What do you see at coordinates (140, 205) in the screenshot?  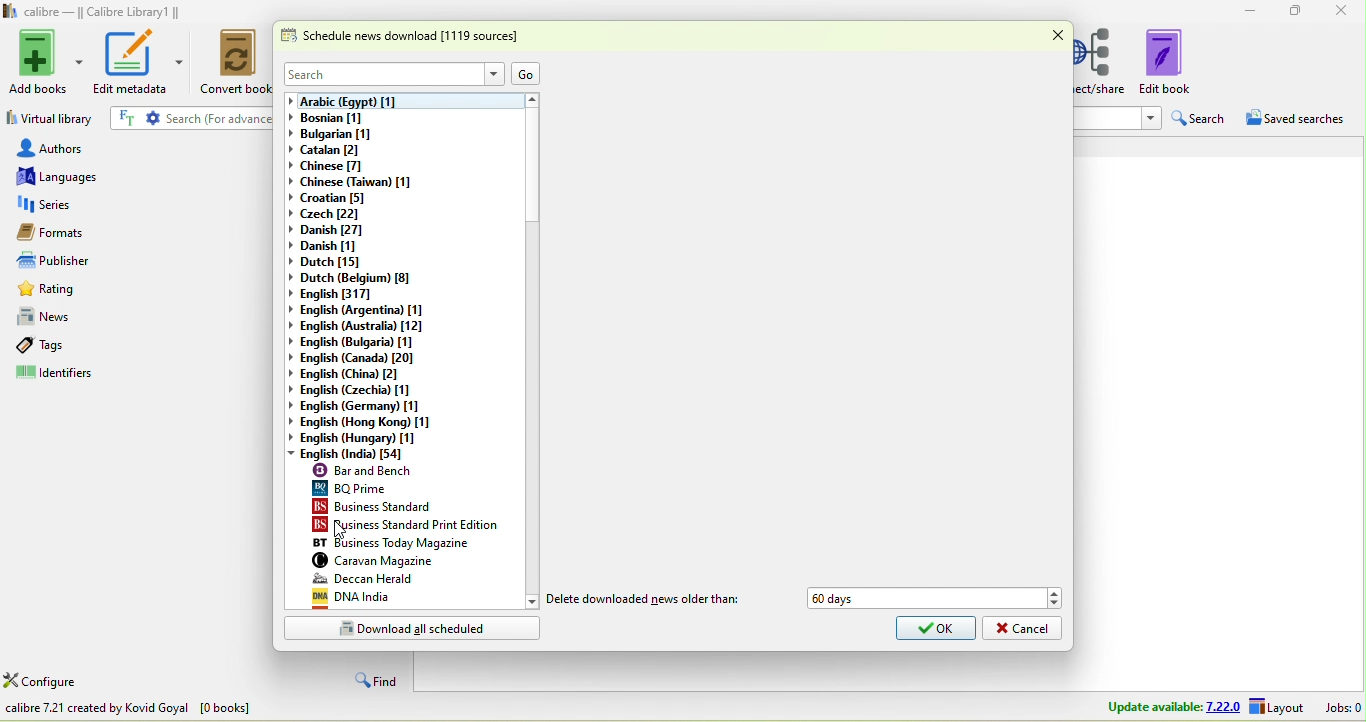 I see `series` at bounding box center [140, 205].